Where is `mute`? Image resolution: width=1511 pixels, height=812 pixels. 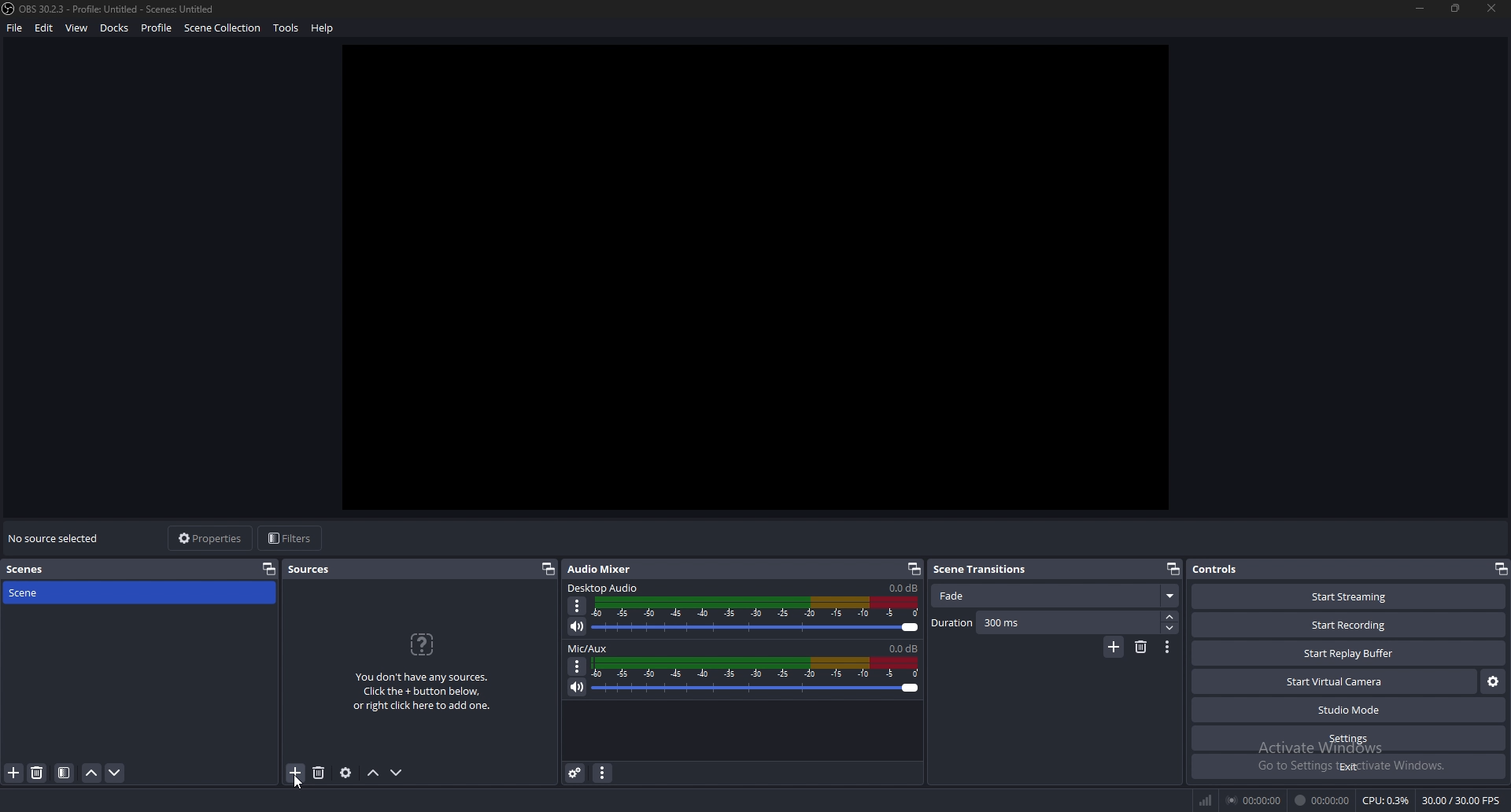 mute is located at coordinates (578, 686).